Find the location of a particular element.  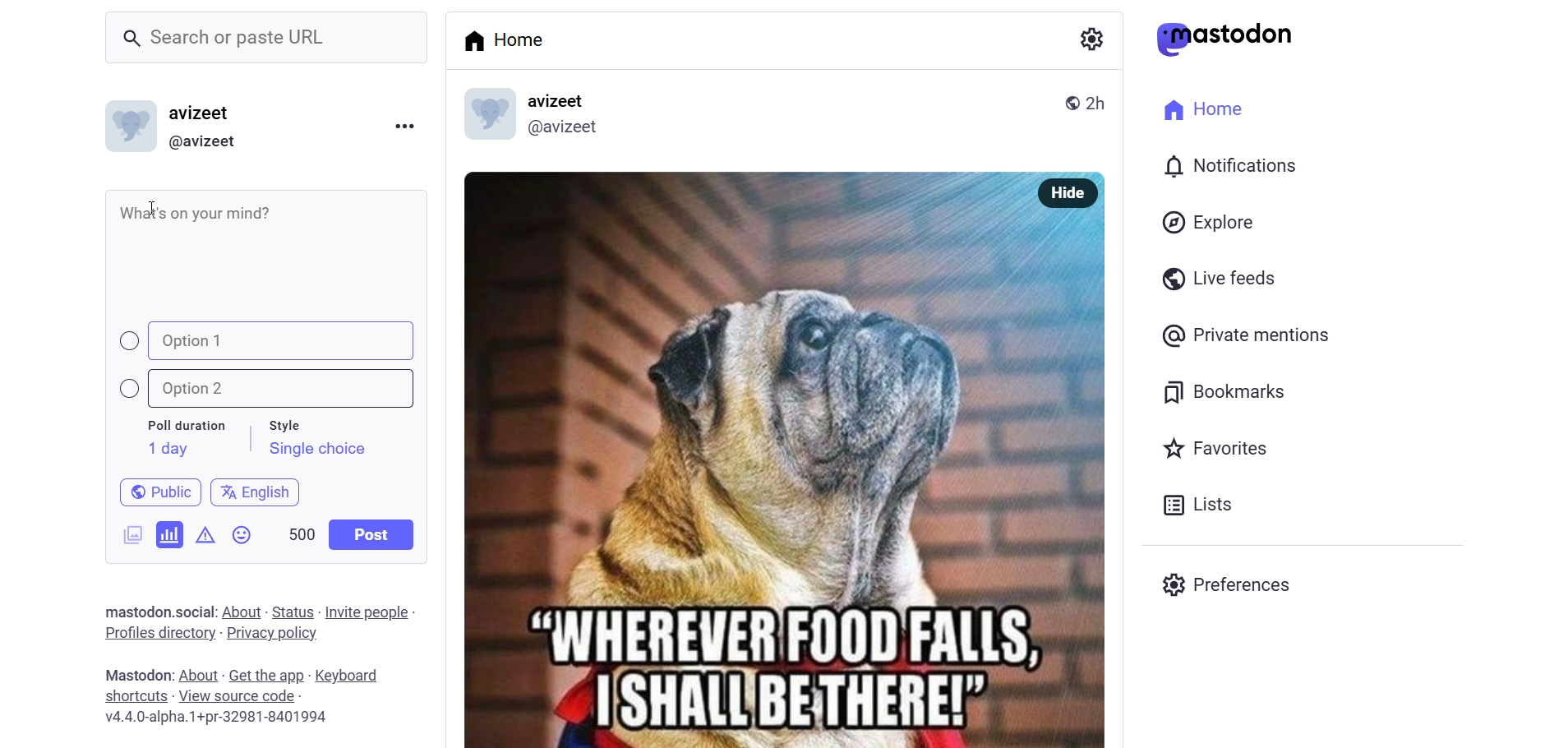

source code is located at coordinates (239, 696).